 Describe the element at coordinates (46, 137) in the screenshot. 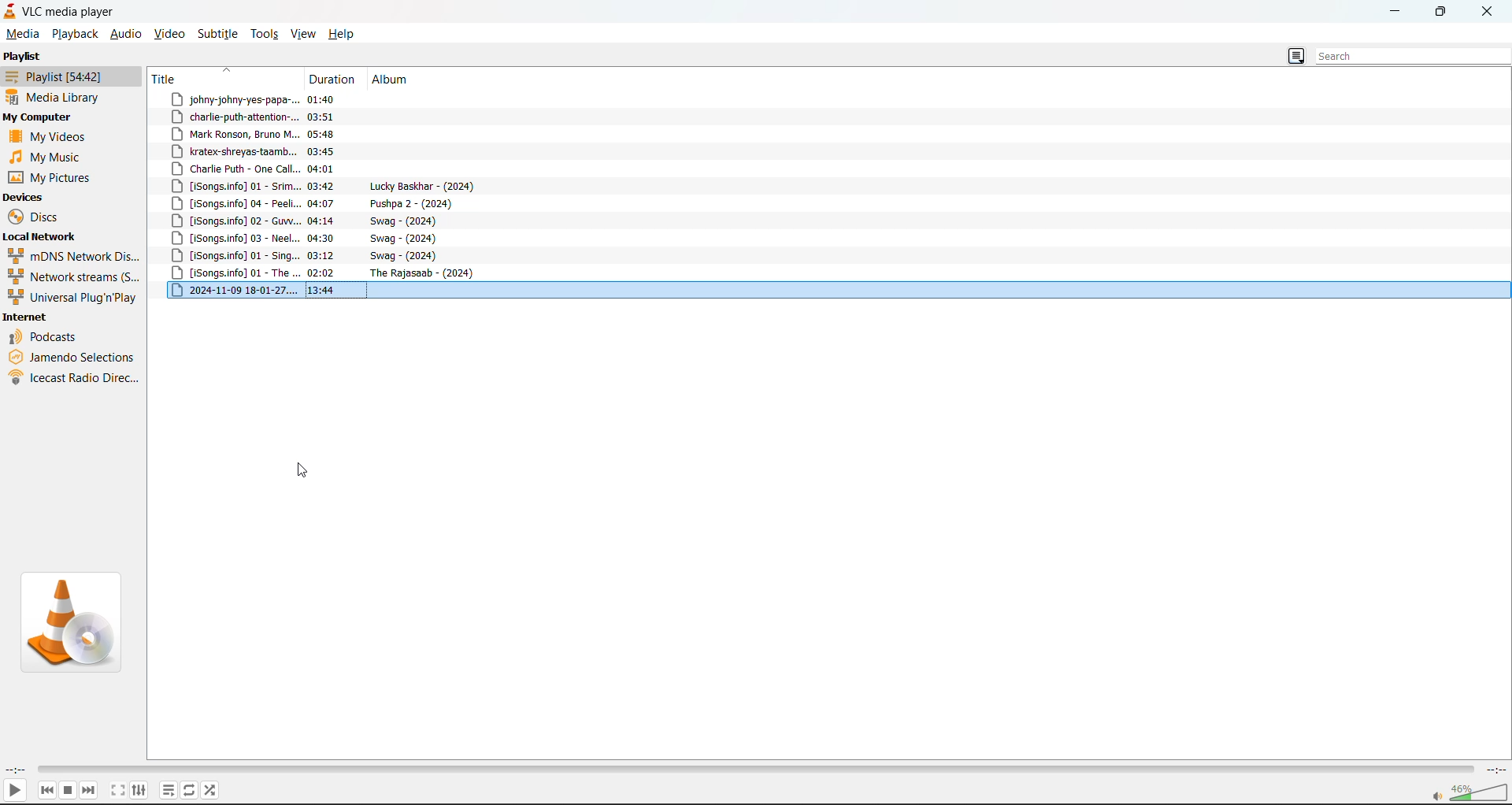

I see `videos` at that location.